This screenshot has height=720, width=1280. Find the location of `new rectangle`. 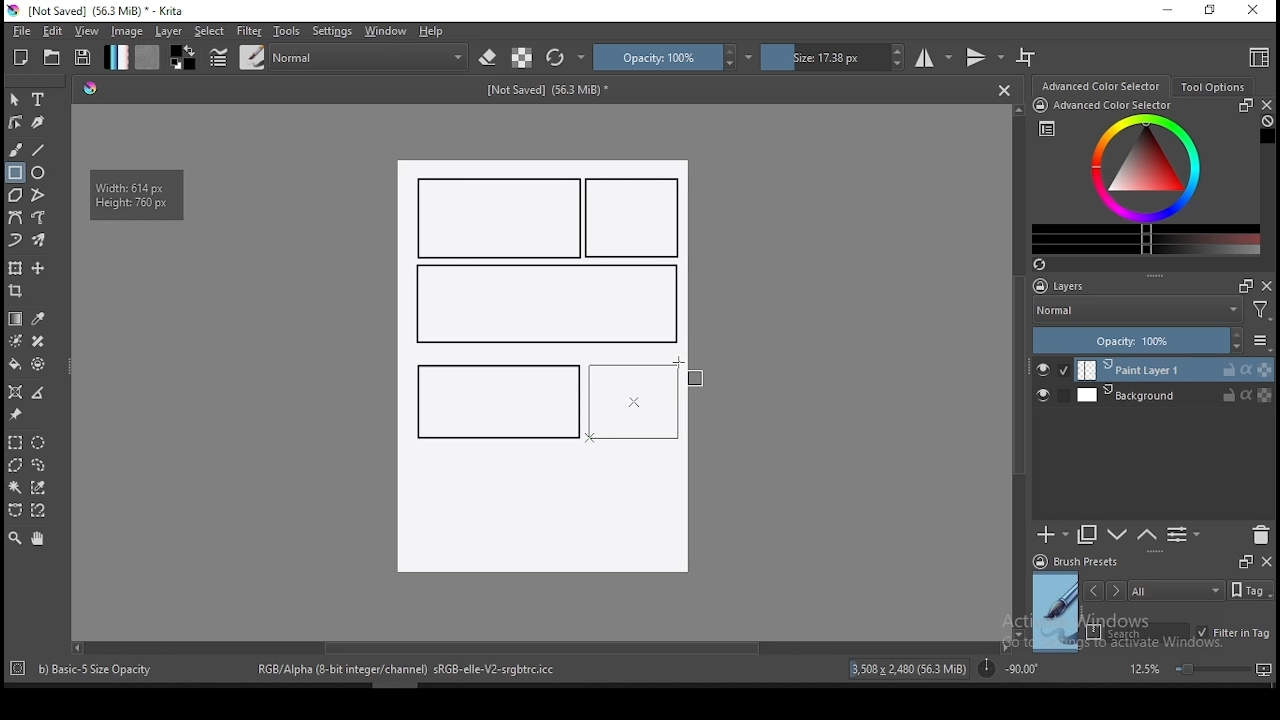

new rectangle is located at coordinates (544, 305).